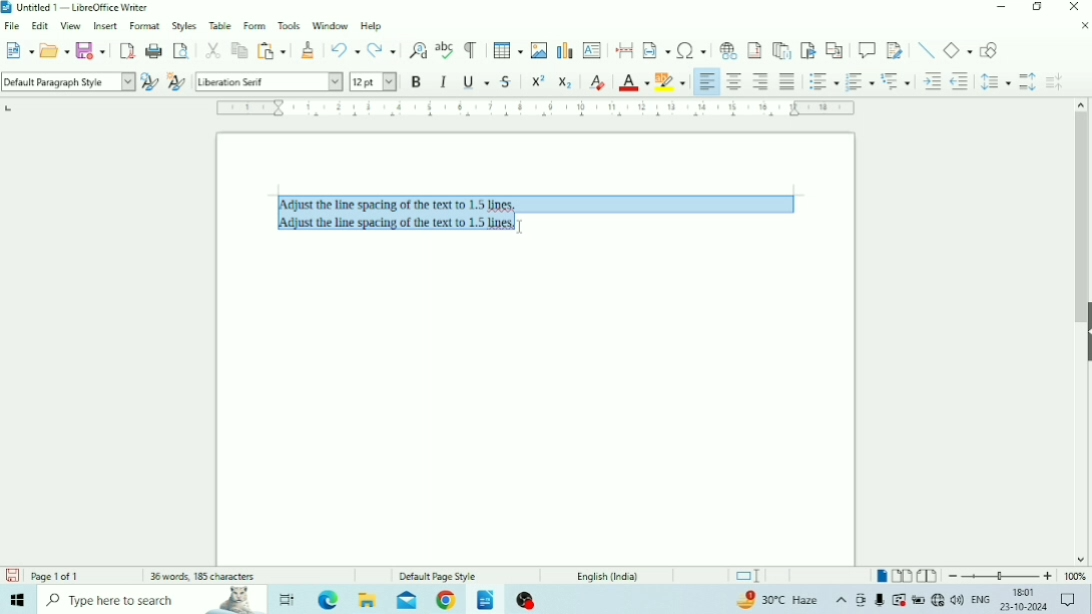 Image resolution: width=1092 pixels, height=614 pixels. What do you see at coordinates (734, 81) in the screenshot?
I see `Align Center` at bounding box center [734, 81].